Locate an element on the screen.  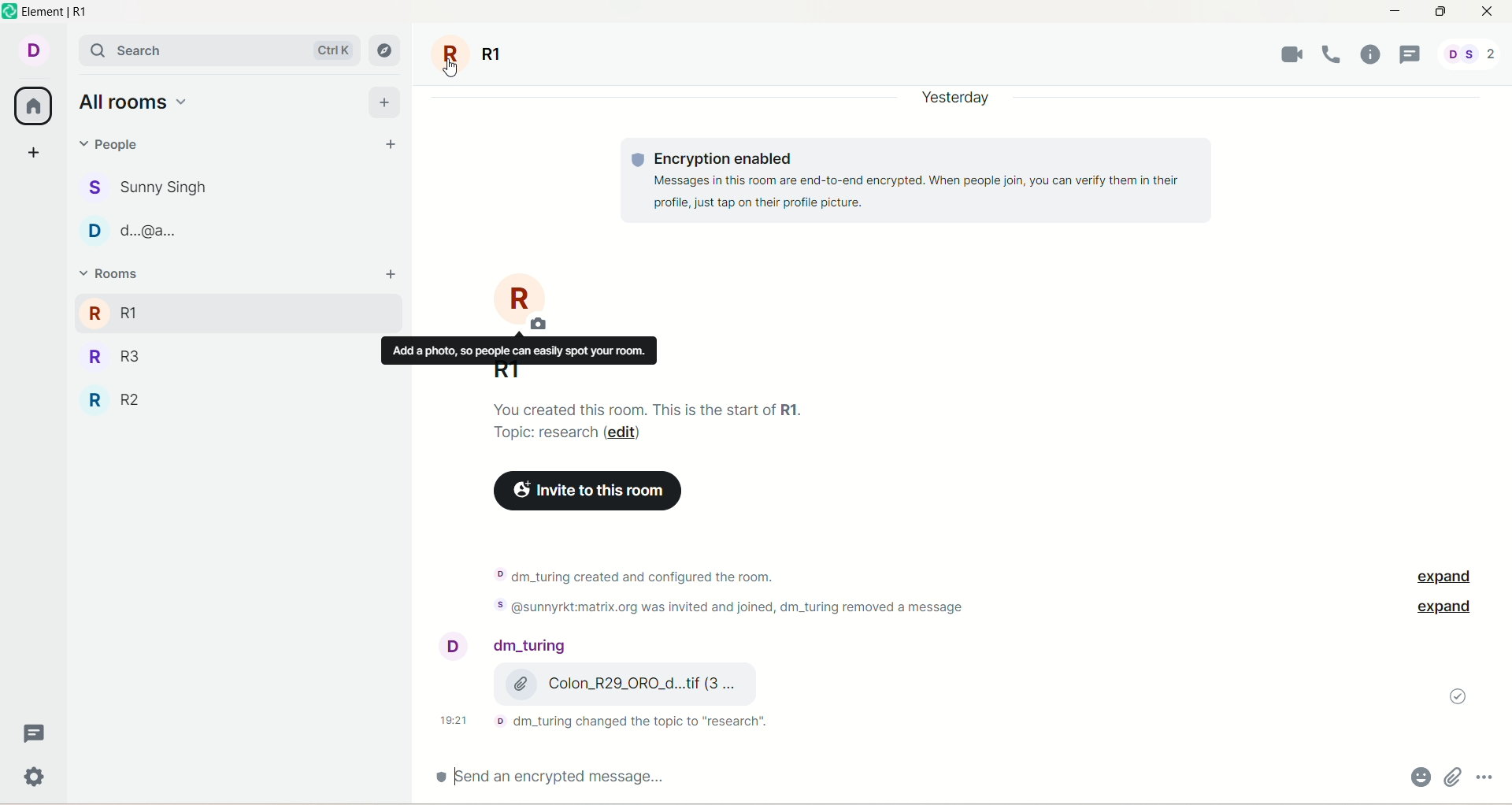
threads is located at coordinates (43, 732).